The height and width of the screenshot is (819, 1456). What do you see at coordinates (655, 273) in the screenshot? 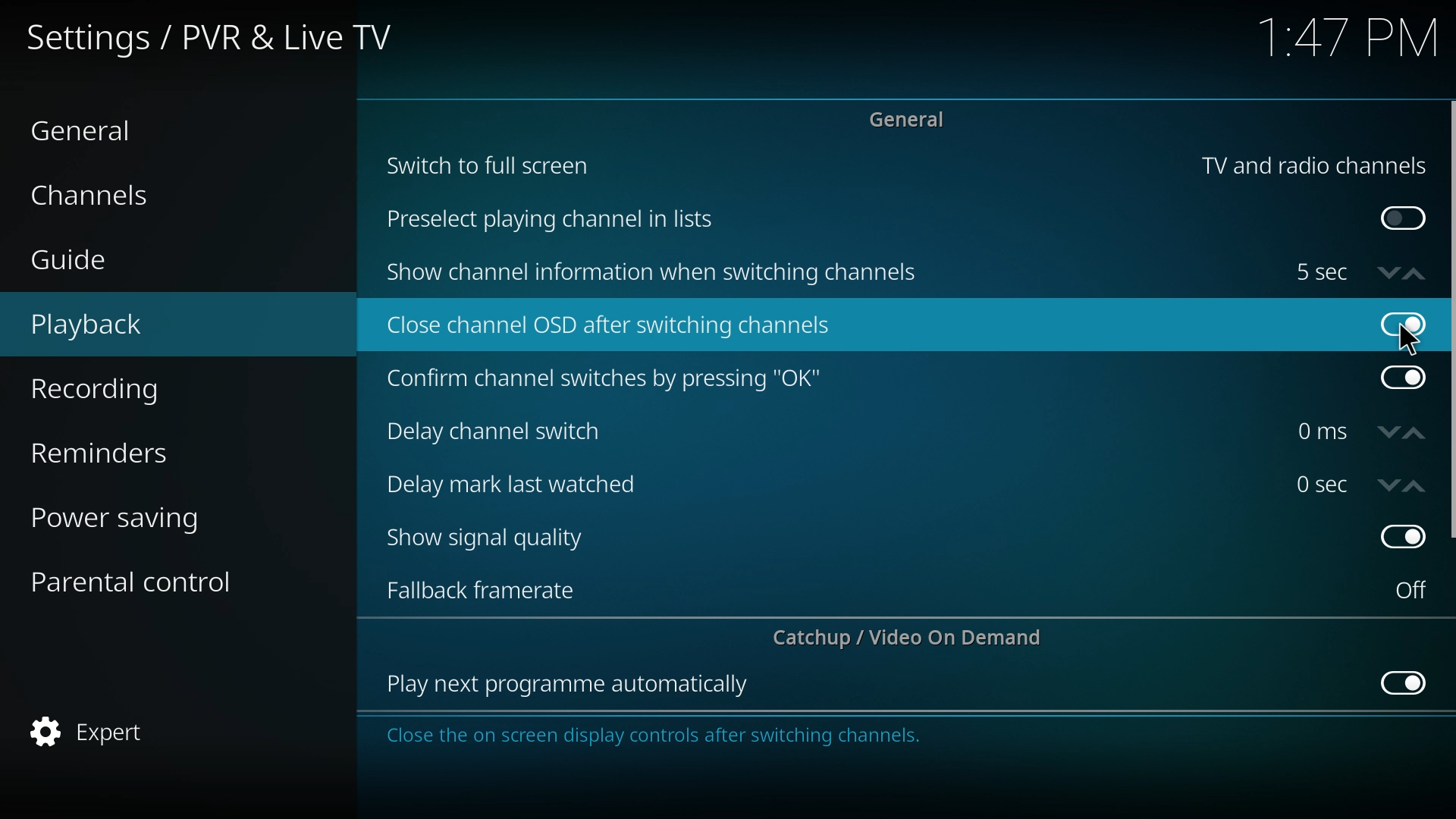
I see `show channel info when switching channels` at bounding box center [655, 273].